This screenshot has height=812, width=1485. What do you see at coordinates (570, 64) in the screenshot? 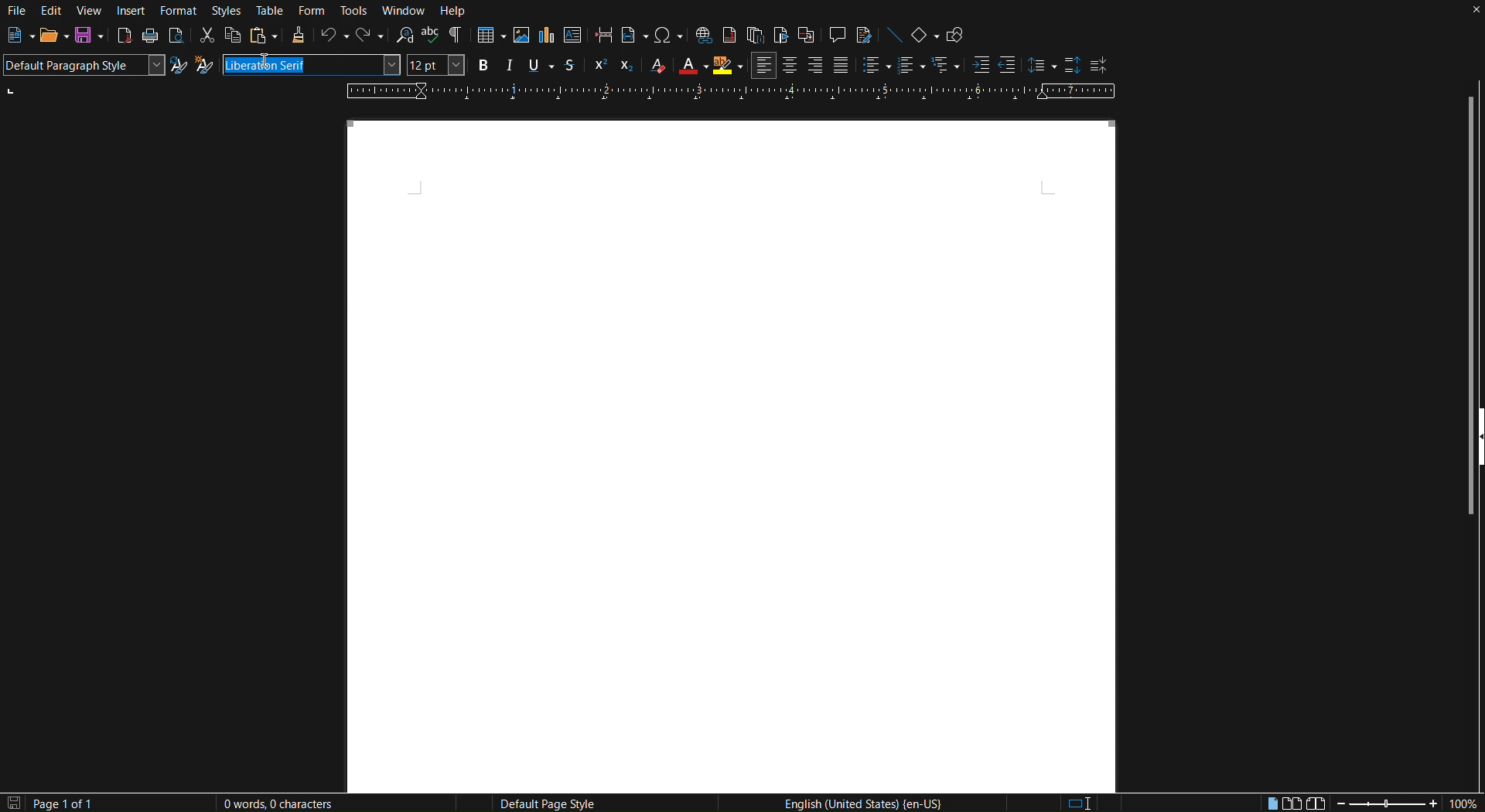
I see `Strikethrough` at bounding box center [570, 64].